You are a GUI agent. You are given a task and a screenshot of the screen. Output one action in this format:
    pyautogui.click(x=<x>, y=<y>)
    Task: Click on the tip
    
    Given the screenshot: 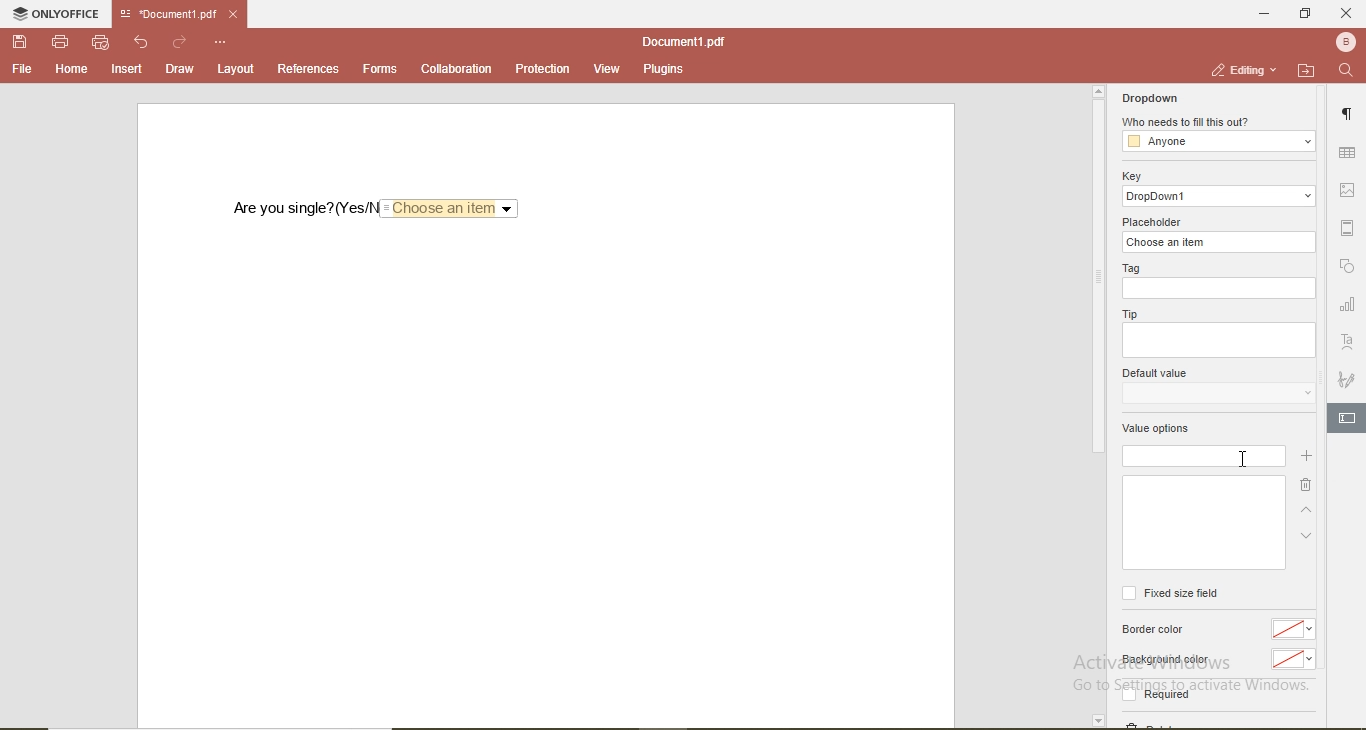 What is the action you would take?
    pyautogui.click(x=1129, y=313)
    